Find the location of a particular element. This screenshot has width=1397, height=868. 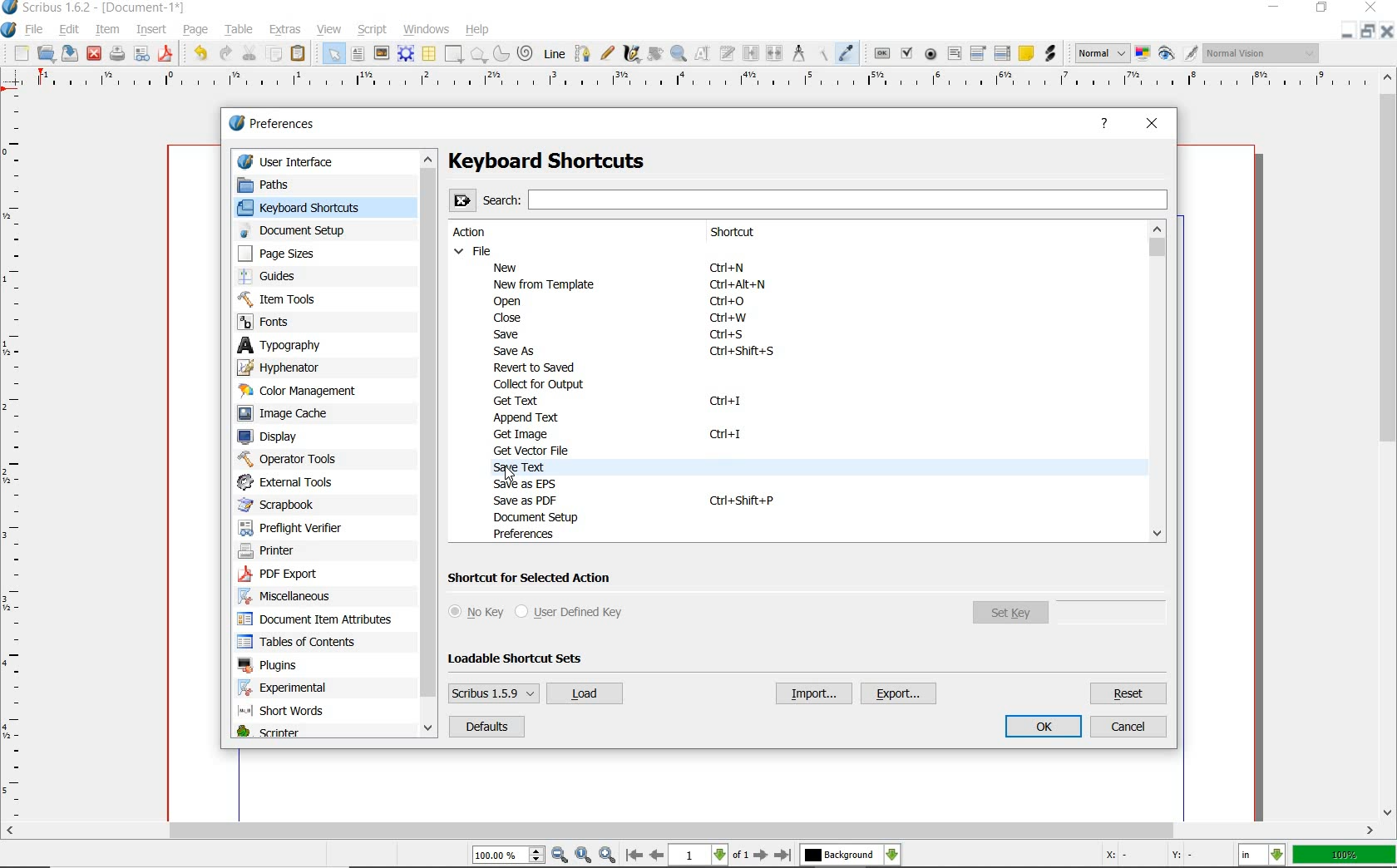

SAVE TEXT is located at coordinates (531, 467).